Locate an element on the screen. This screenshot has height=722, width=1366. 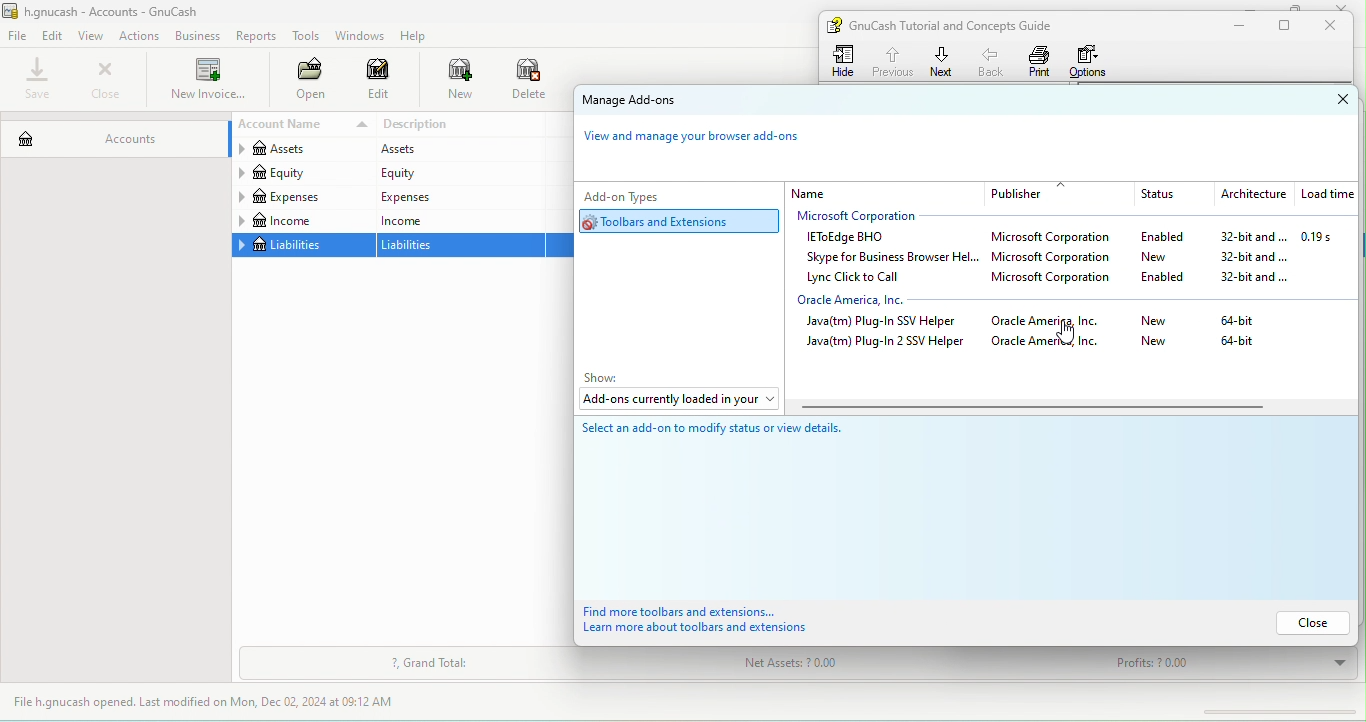
close is located at coordinates (1325, 100).